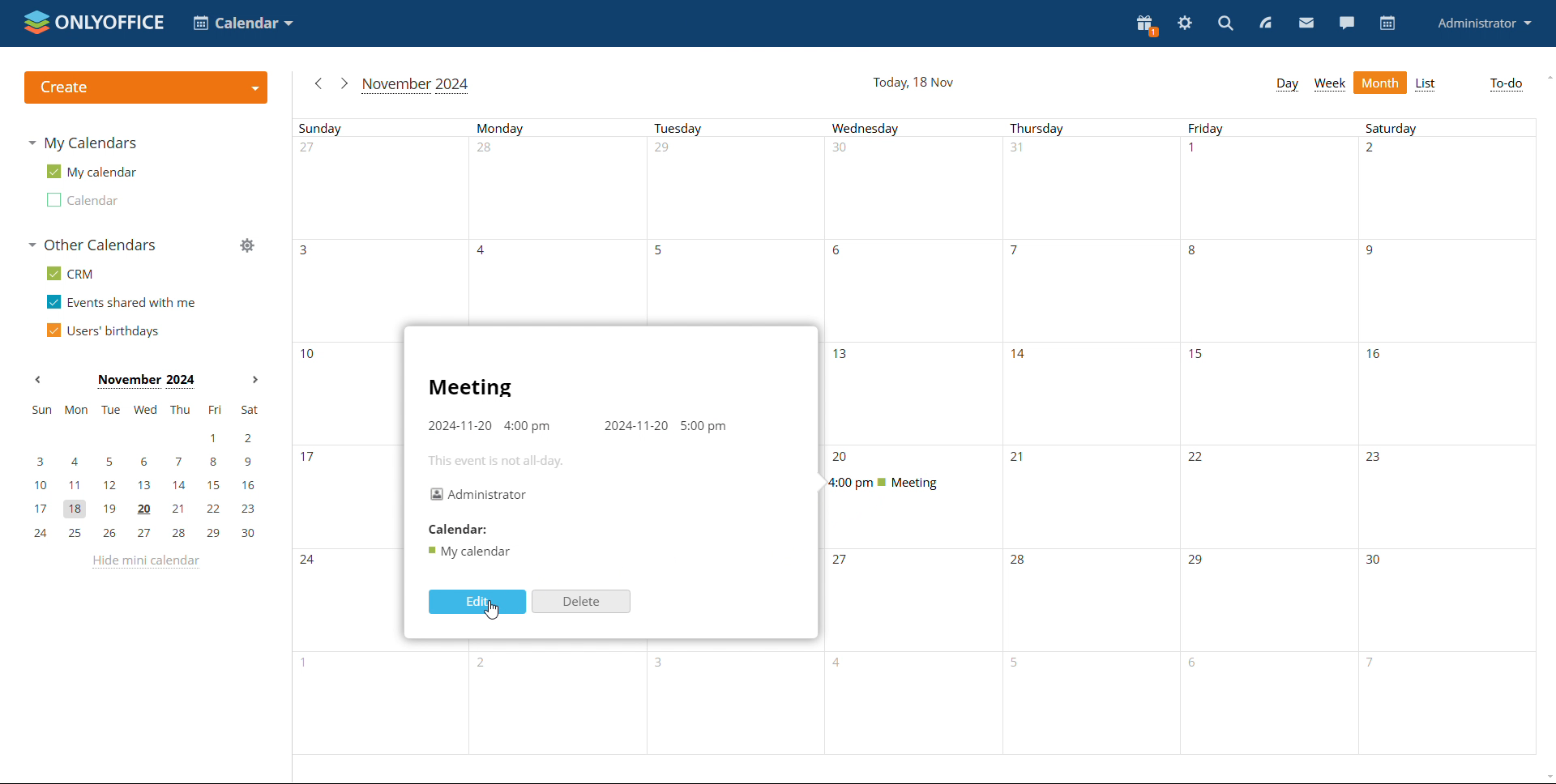 This screenshot has width=1556, height=784. Describe the element at coordinates (145, 562) in the screenshot. I see `hide mini calendar` at that location.